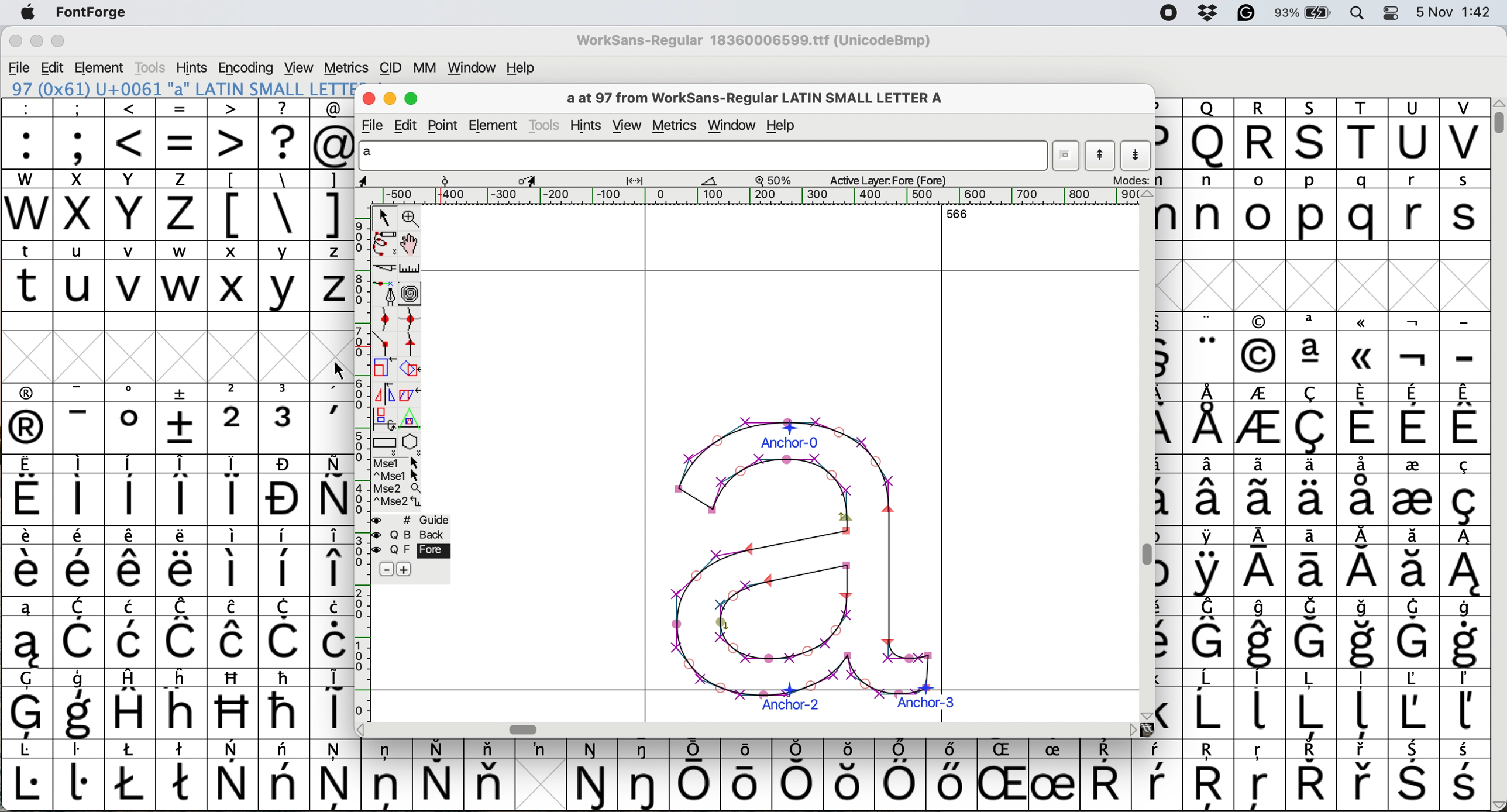 The height and width of the screenshot is (812, 1507). I want to click on window, so click(469, 68).